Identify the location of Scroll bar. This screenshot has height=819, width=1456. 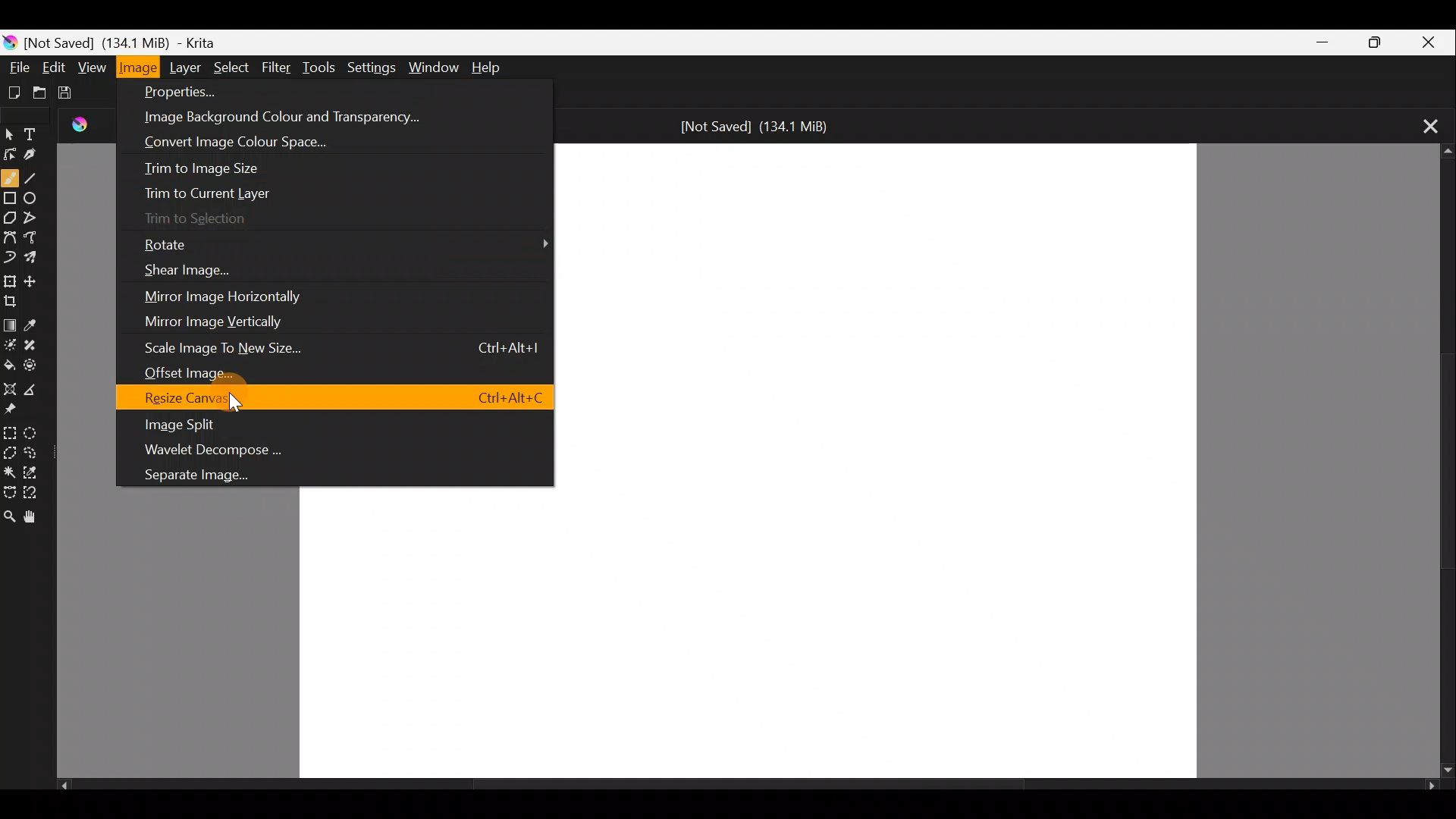
(1441, 462).